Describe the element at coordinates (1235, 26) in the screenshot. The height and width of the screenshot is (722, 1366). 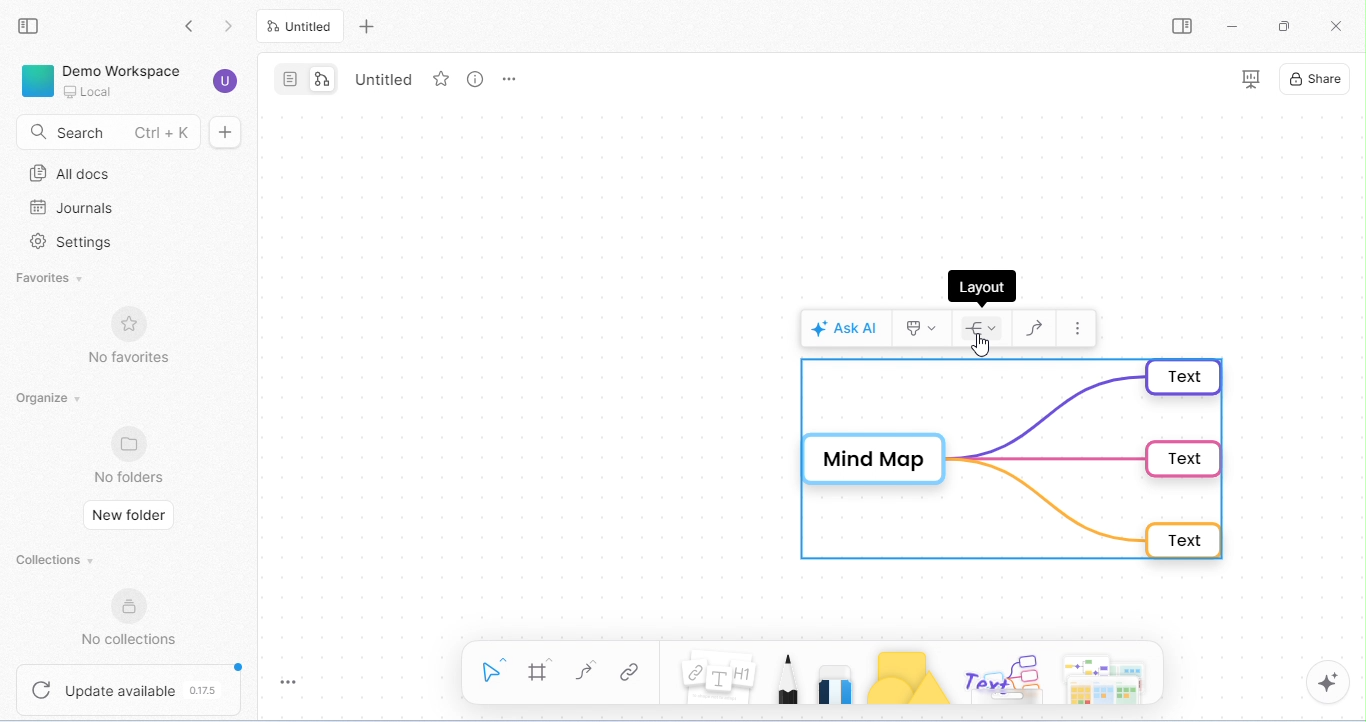
I see `minimize` at that location.